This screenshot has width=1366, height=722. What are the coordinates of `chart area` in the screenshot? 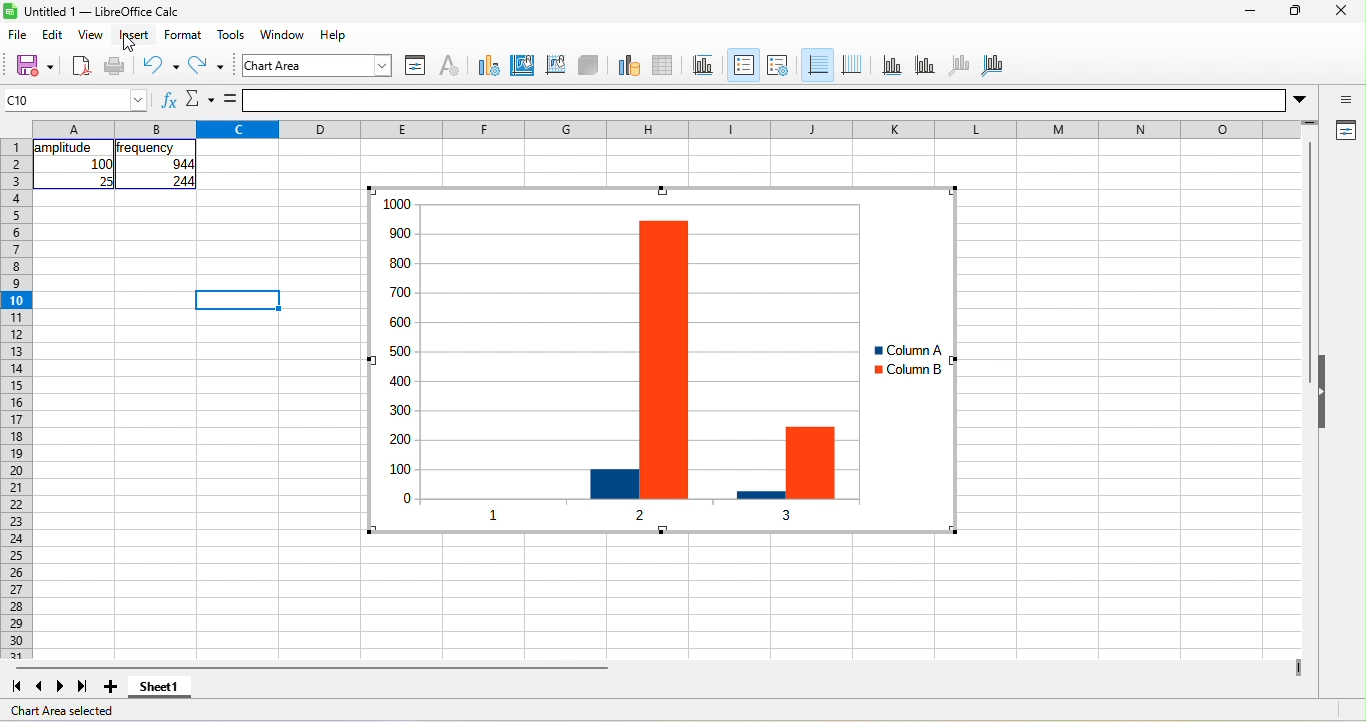 It's located at (319, 65).